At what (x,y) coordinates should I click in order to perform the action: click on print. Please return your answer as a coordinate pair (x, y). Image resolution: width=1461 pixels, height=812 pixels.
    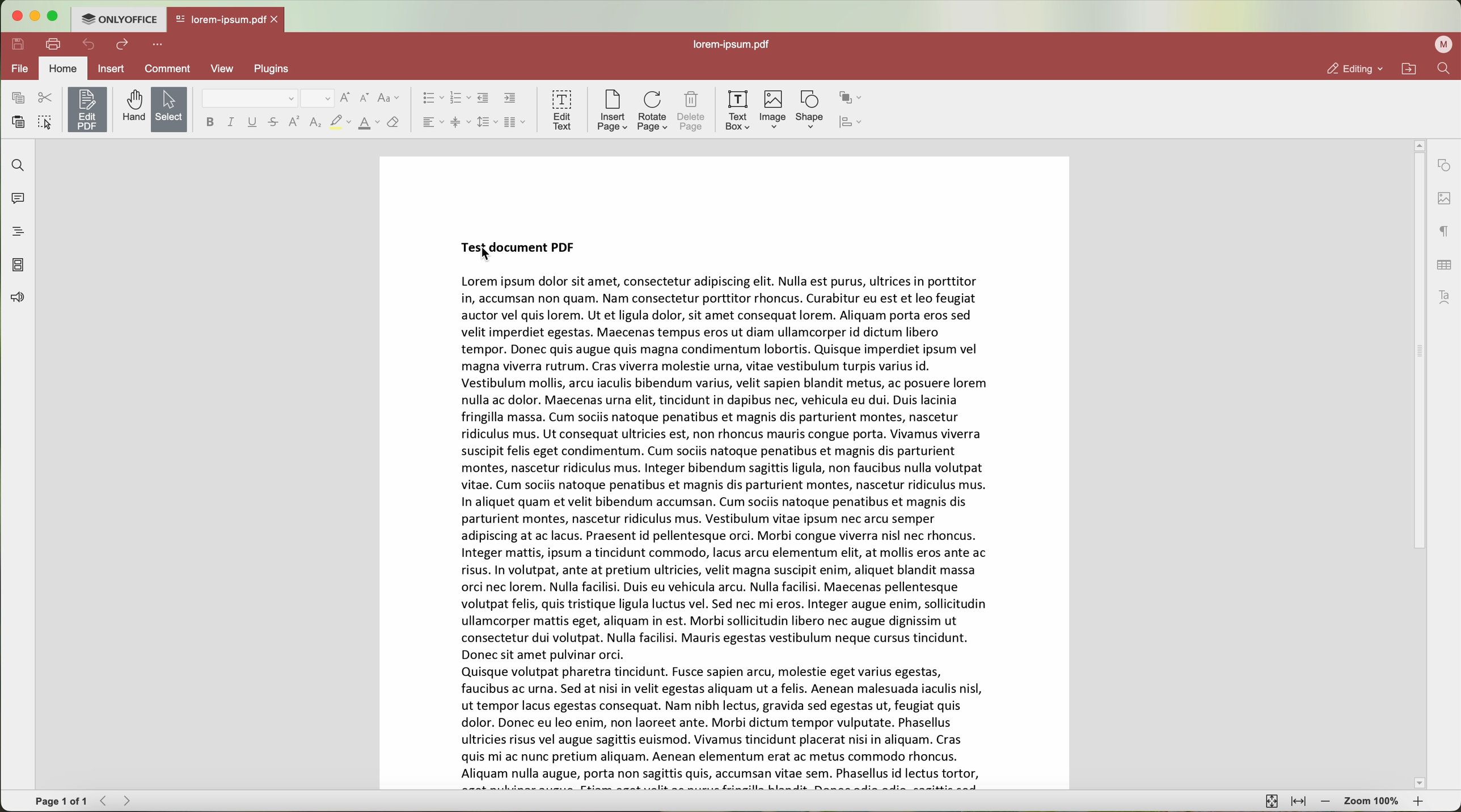
    Looking at the image, I should click on (54, 44).